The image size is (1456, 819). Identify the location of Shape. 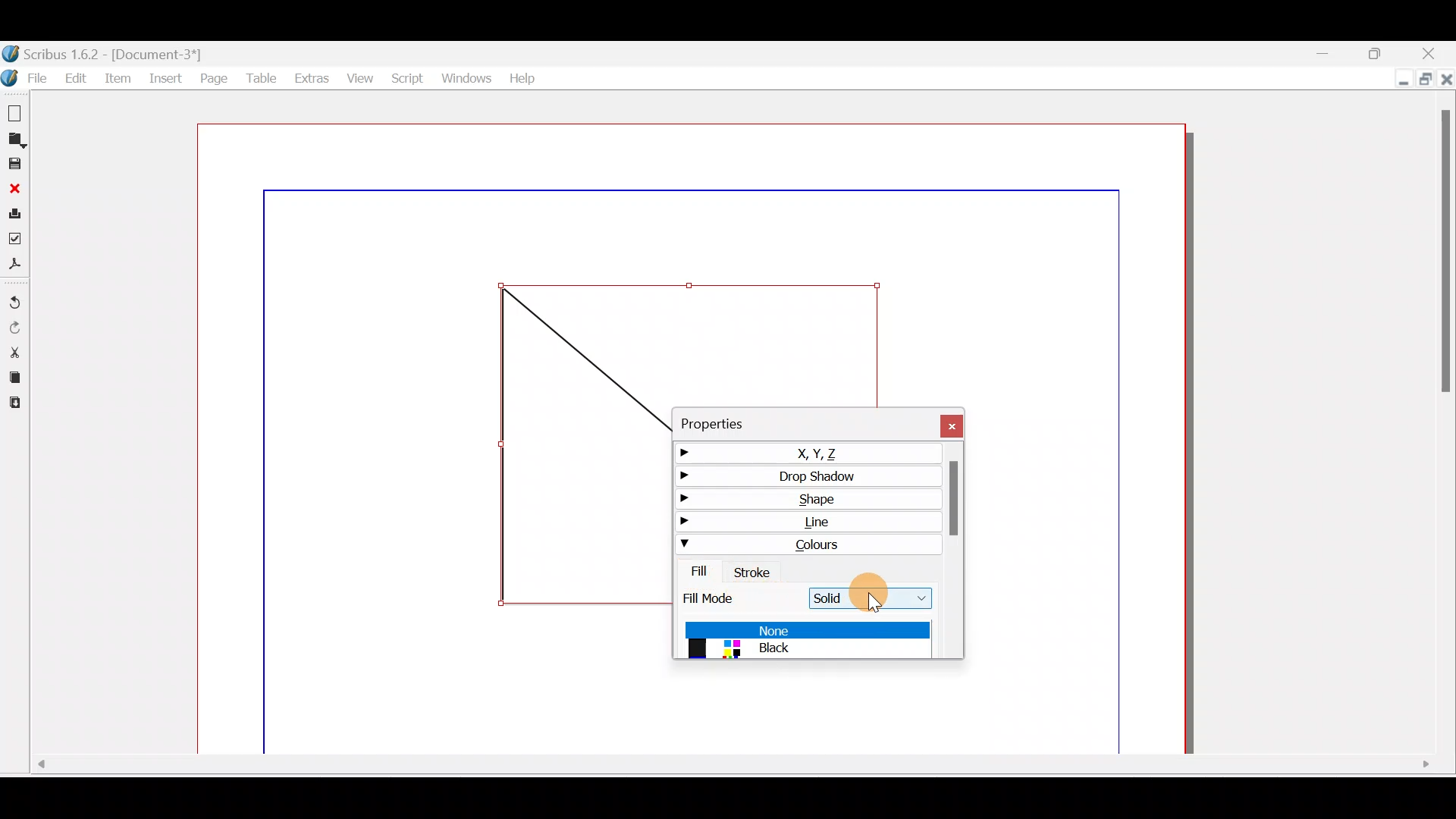
(807, 497).